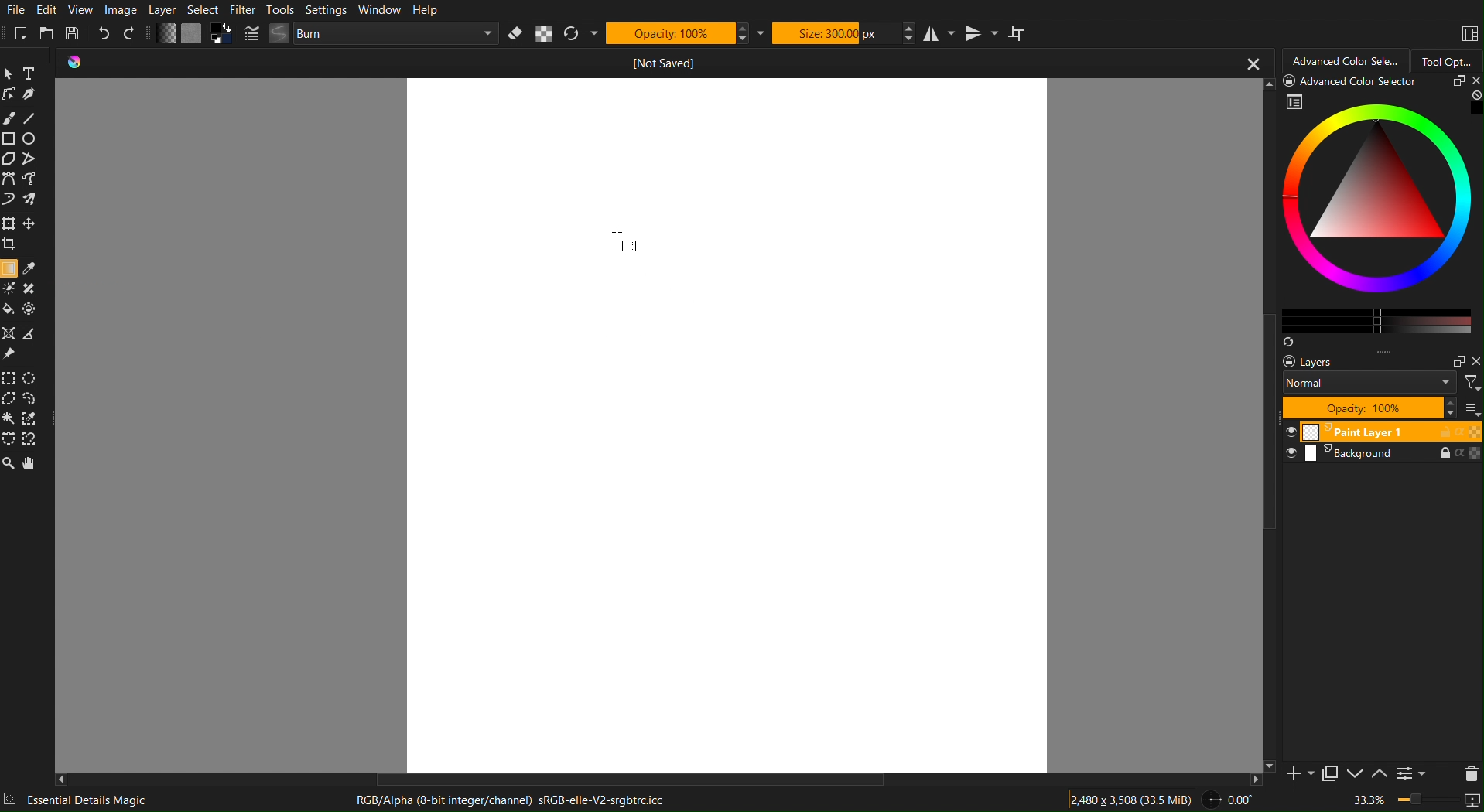  I want to click on Layer 1, so click(1381, 432).